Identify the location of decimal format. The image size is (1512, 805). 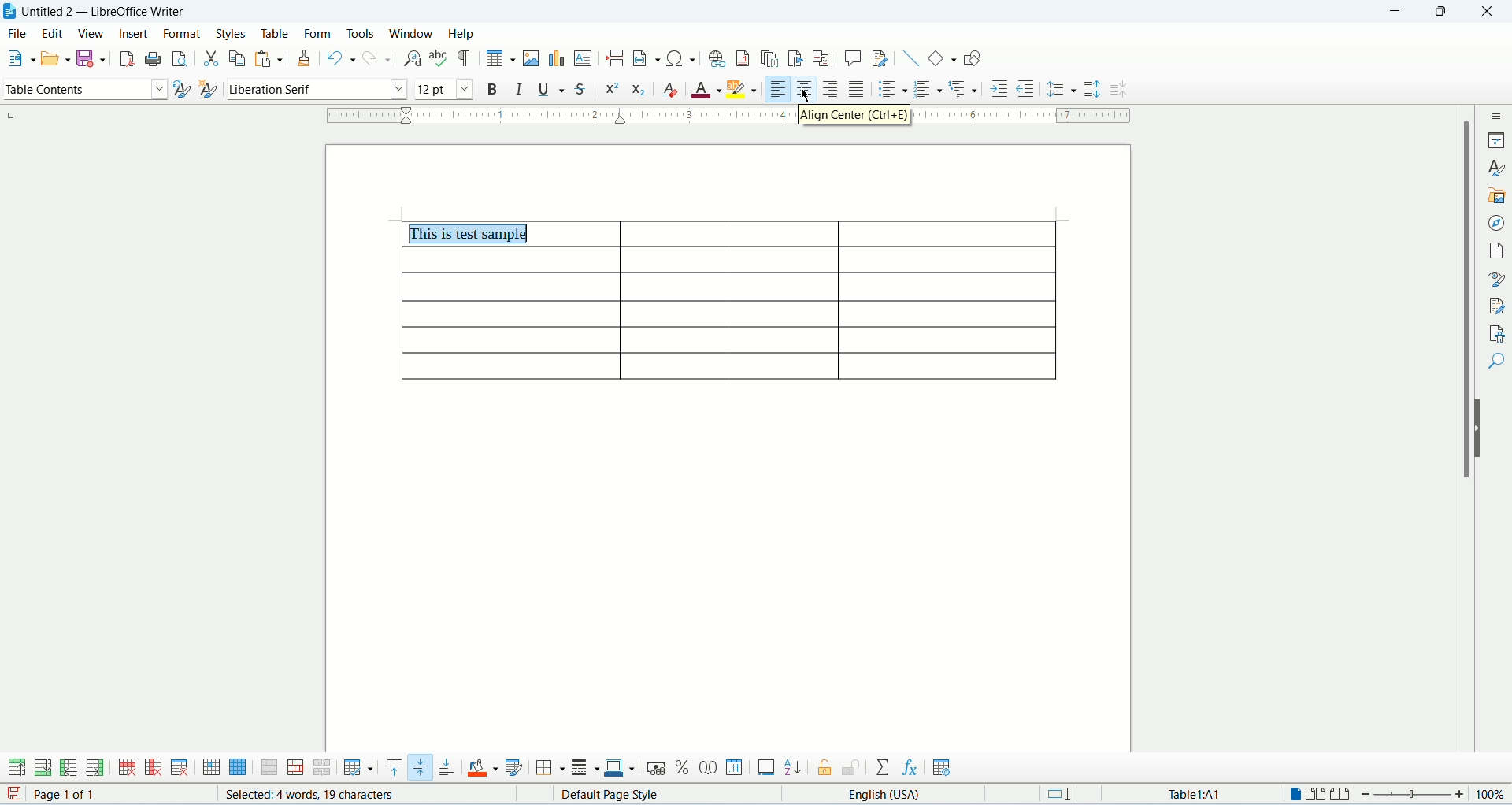
(710, 766).